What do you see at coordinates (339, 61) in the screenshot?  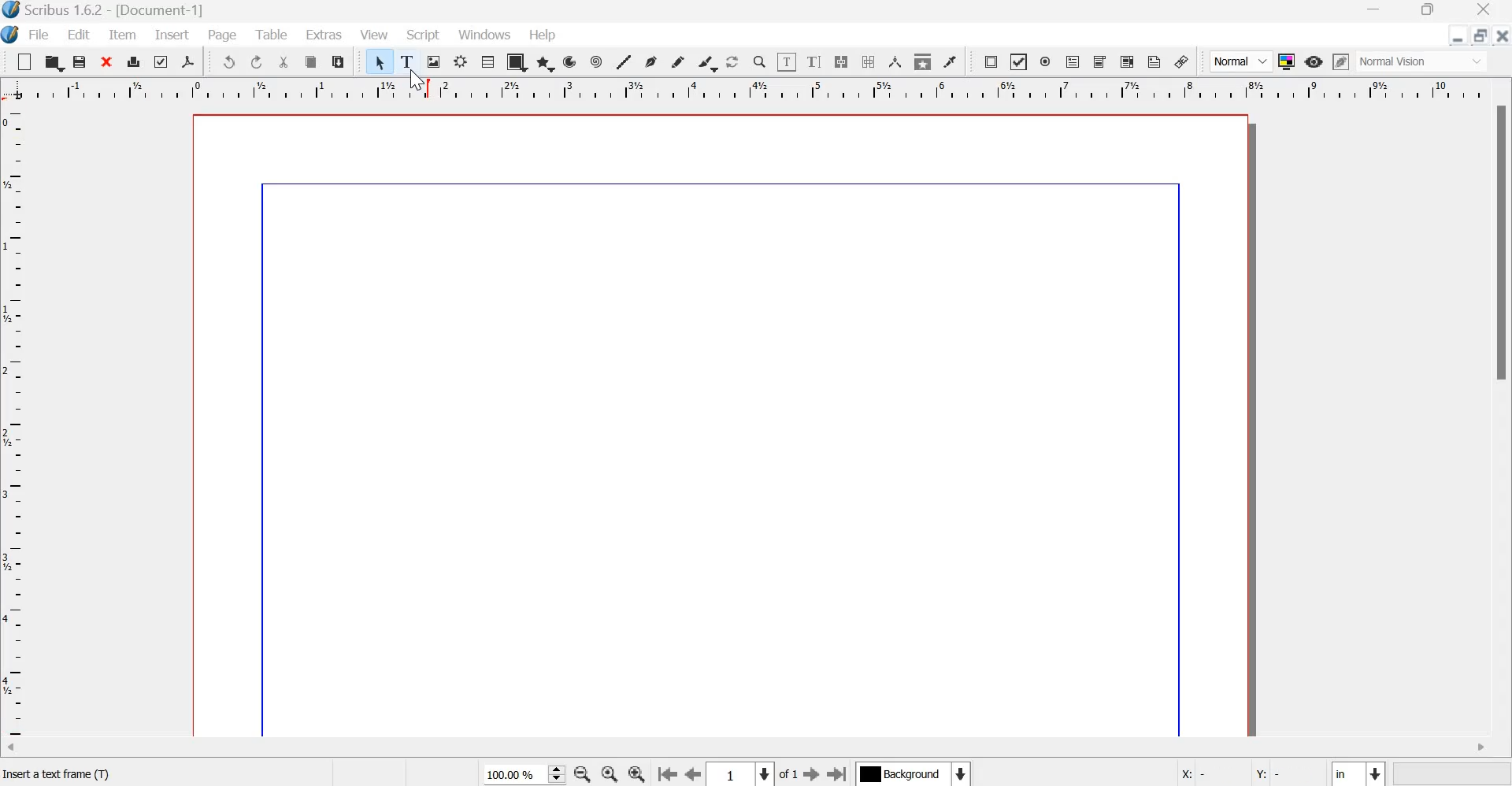 I see `paste` at bounding box center [339, 61].